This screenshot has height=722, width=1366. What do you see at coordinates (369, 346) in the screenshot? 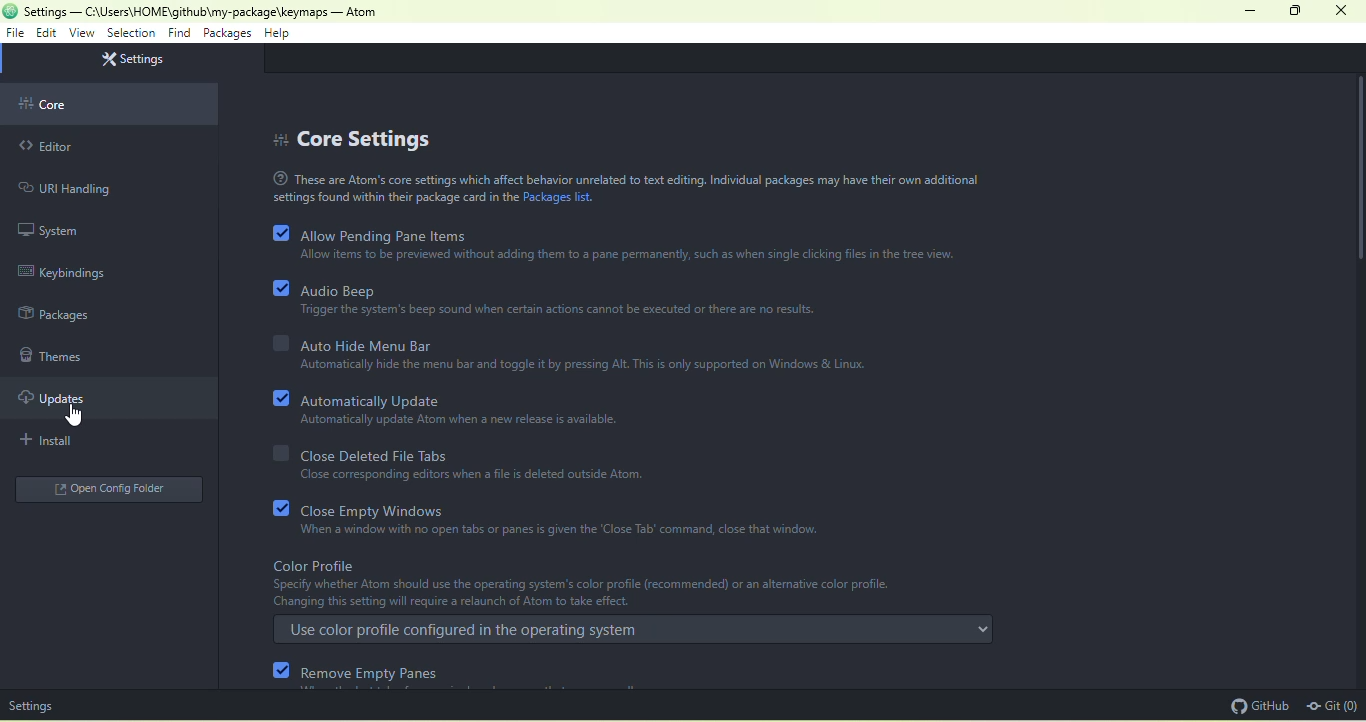
I see `auto hide menu bar` at bounding box center [369, 346].